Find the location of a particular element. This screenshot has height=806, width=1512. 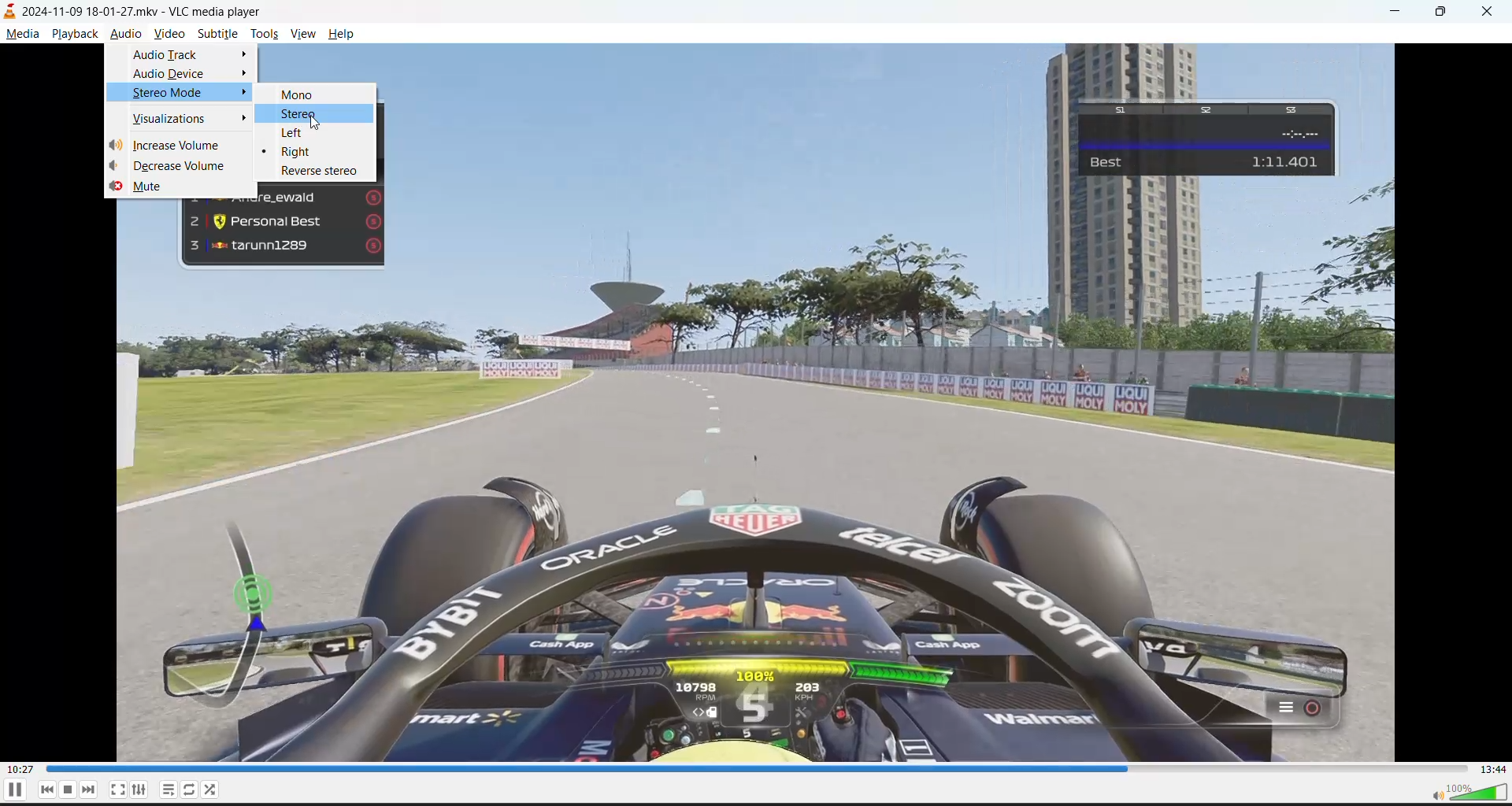

audio is located at coordinates (128, 35).